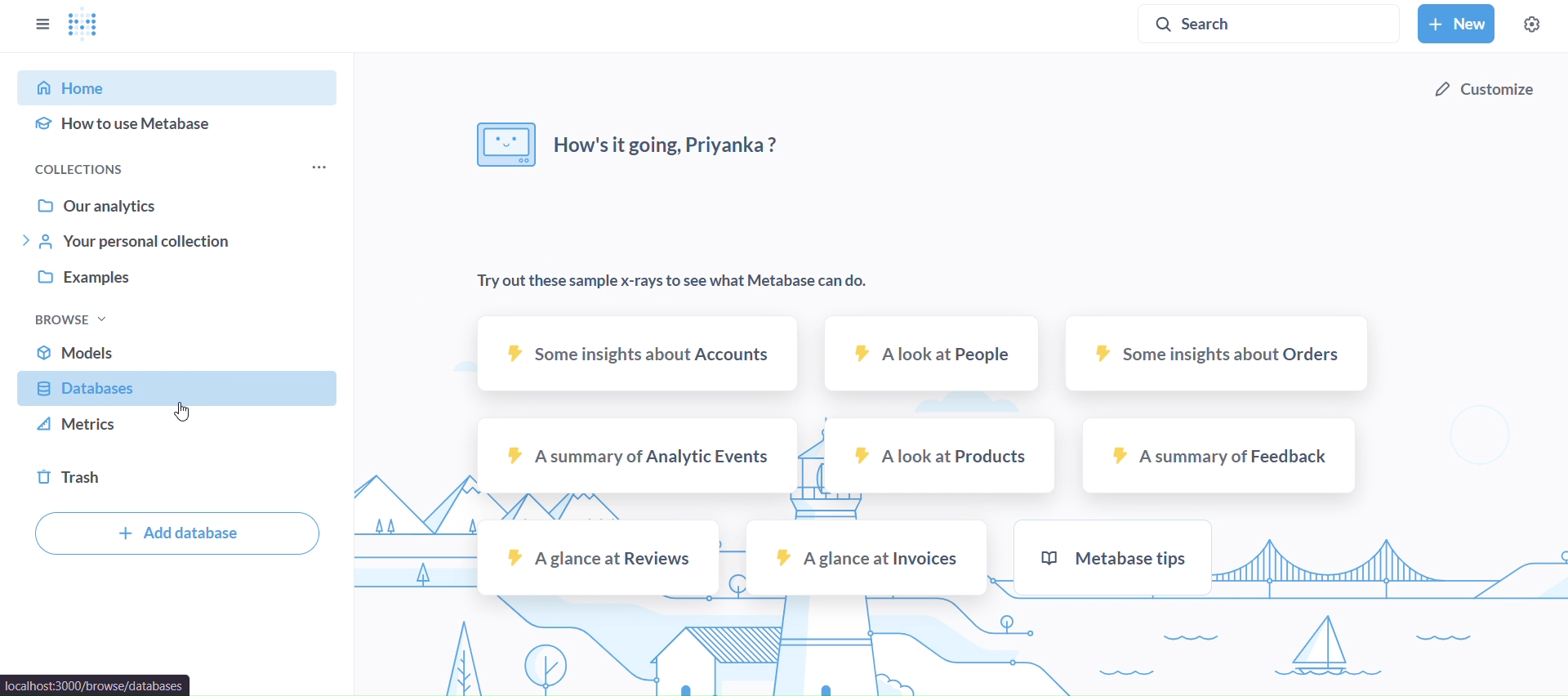  Describe the element at coordinates (637, 355) in the screenshot. I see `some insights about accounts` at that location.